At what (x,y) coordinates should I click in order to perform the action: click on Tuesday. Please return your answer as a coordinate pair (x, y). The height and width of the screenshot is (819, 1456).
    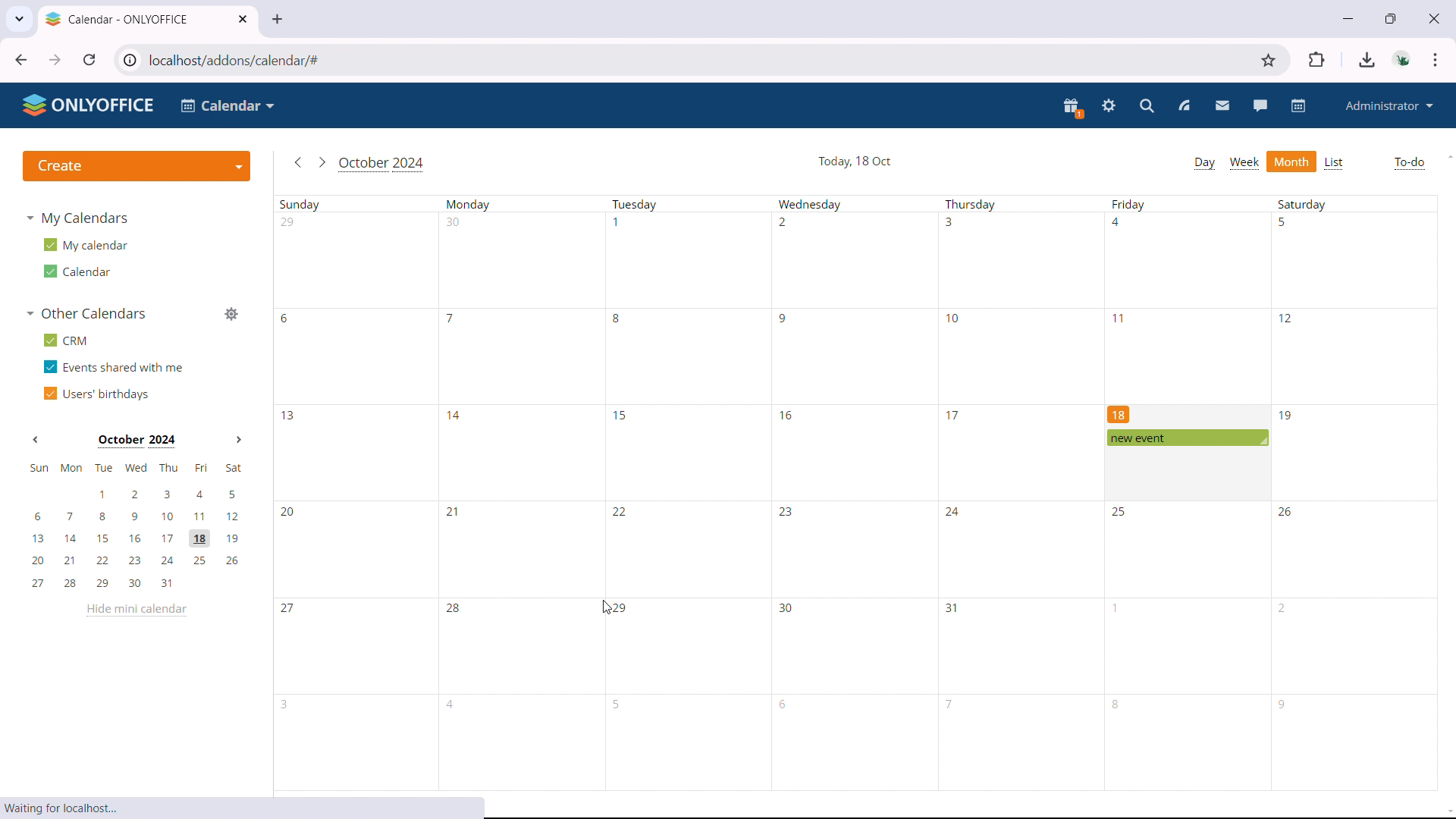
    Looking at the image, I should click on (636, 205).